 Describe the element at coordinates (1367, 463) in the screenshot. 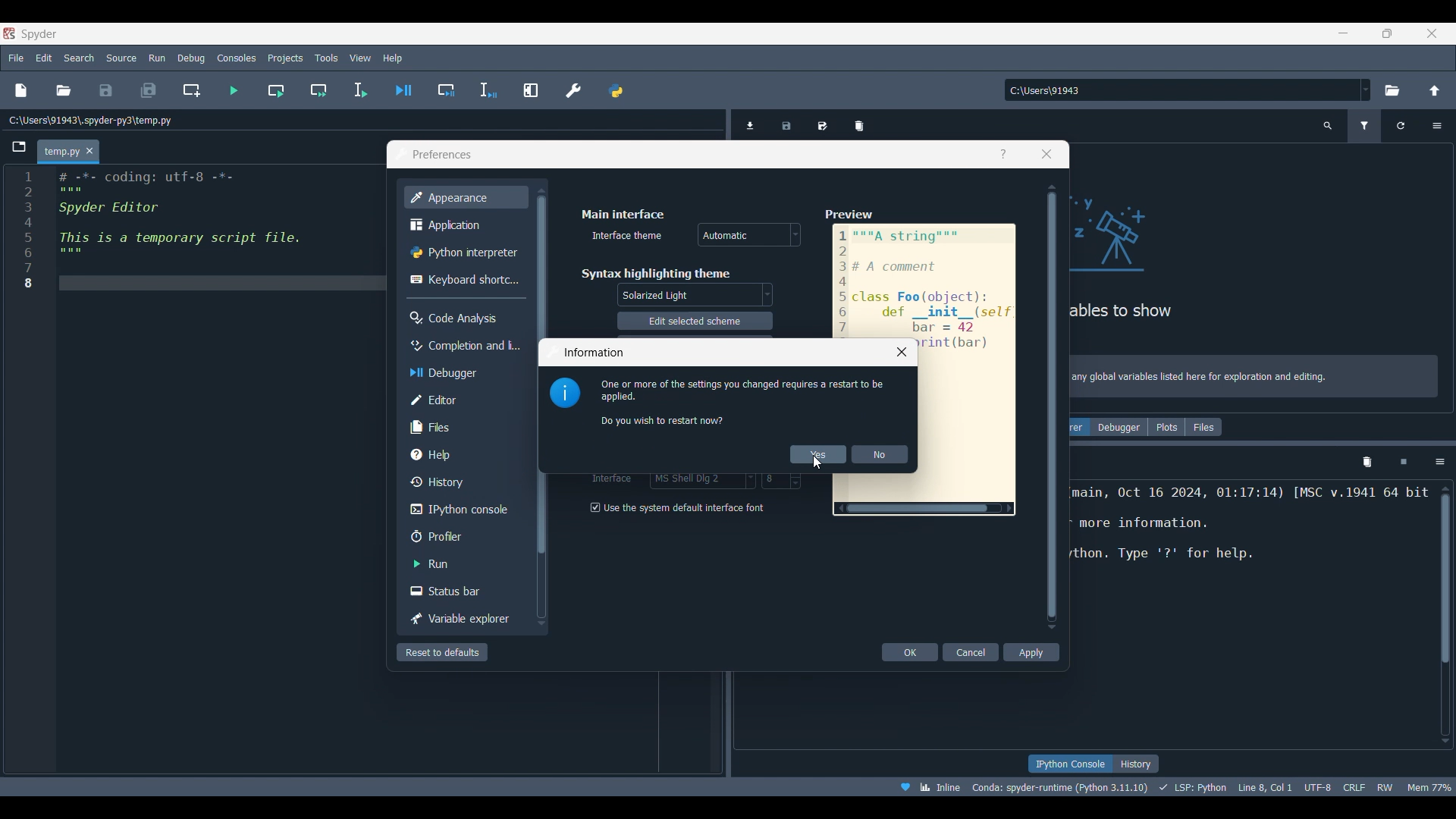

I see `Remove all variables from namespace` at that location.